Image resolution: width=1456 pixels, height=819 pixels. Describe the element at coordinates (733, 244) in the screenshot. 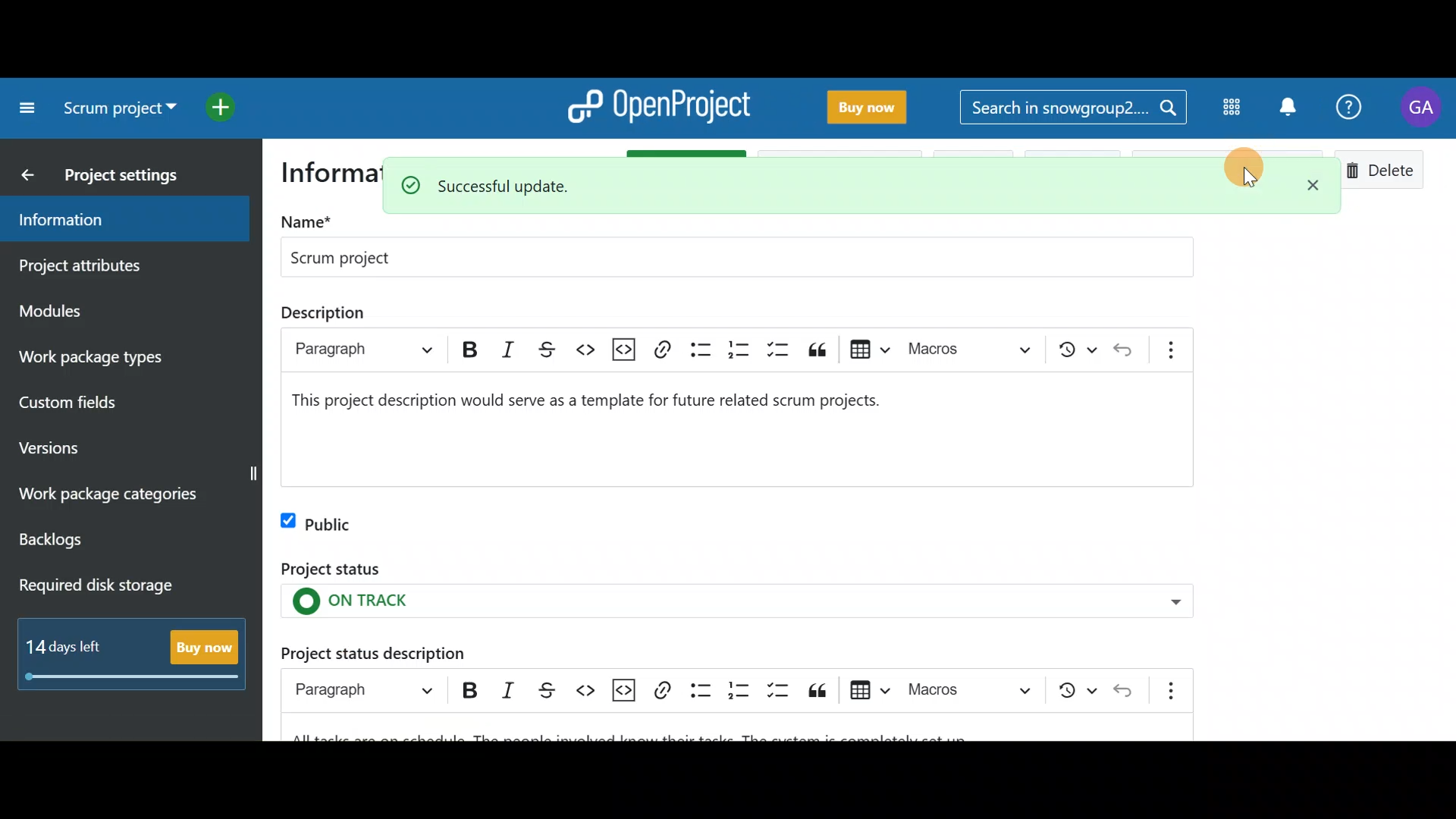

I see `Project name` at that location.